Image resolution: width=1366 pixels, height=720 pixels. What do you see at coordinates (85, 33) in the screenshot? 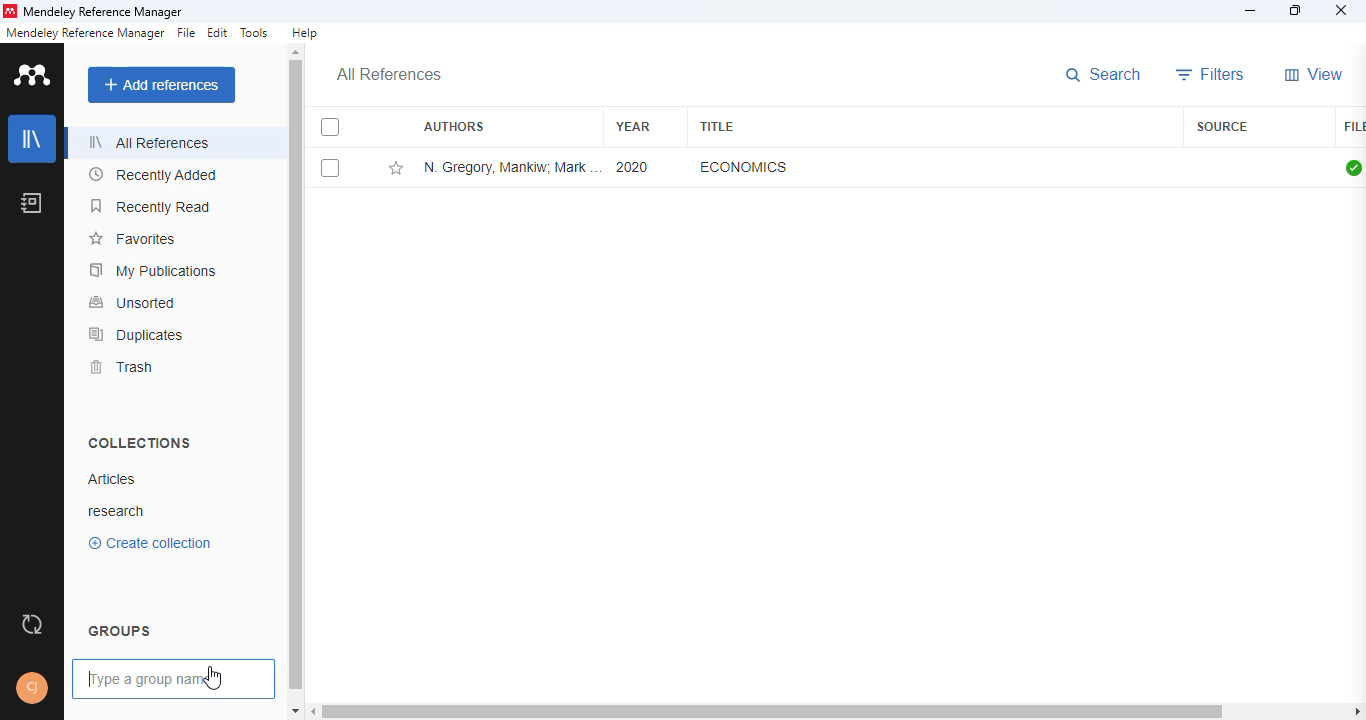
I see `mendeley reference manager` at bounding box center [85, 33].